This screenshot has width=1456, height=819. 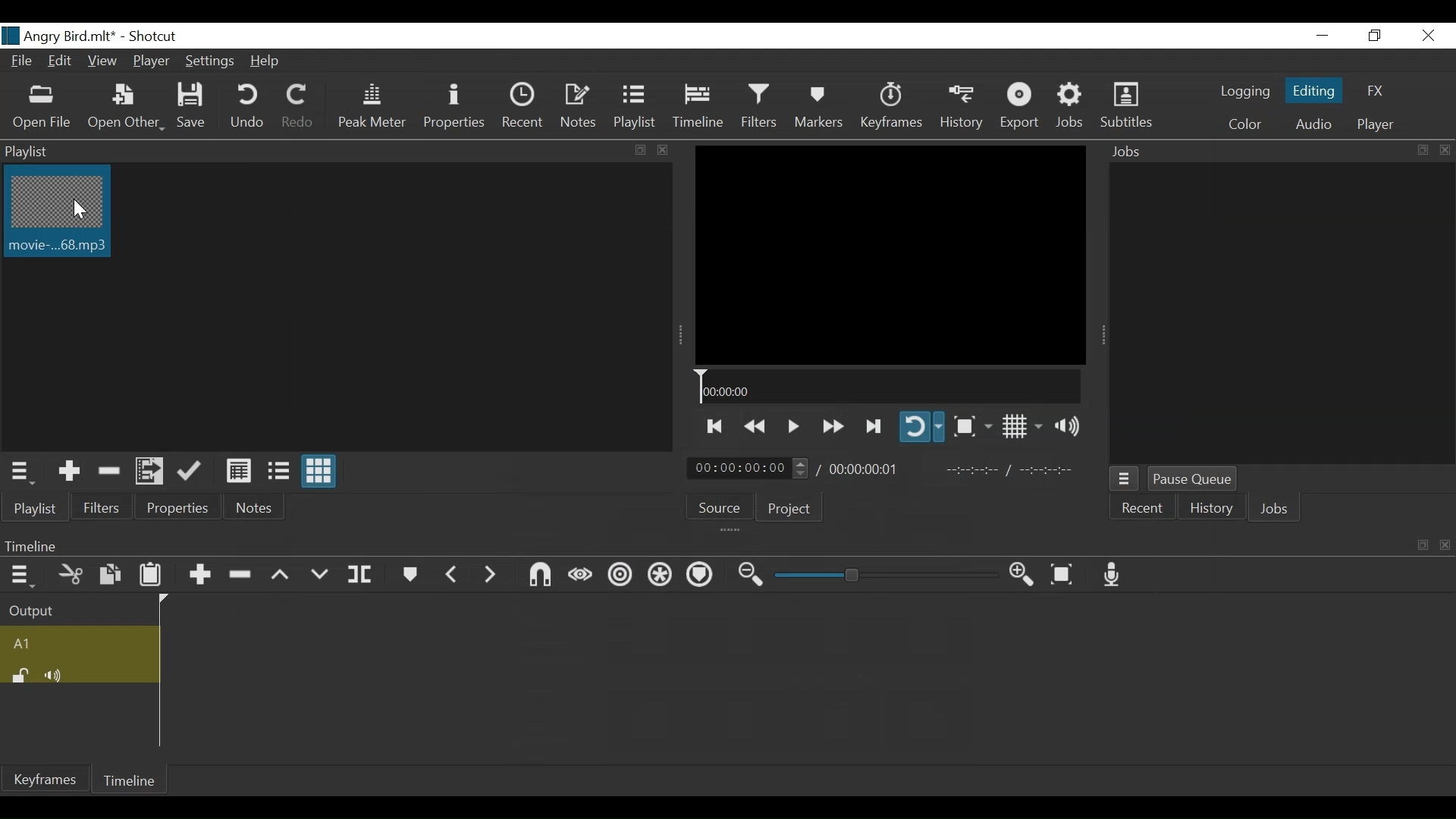 What do you see at coordinates (888, 387) in the screenshot?
I see `Timeline` at bounding box center [888, 387].